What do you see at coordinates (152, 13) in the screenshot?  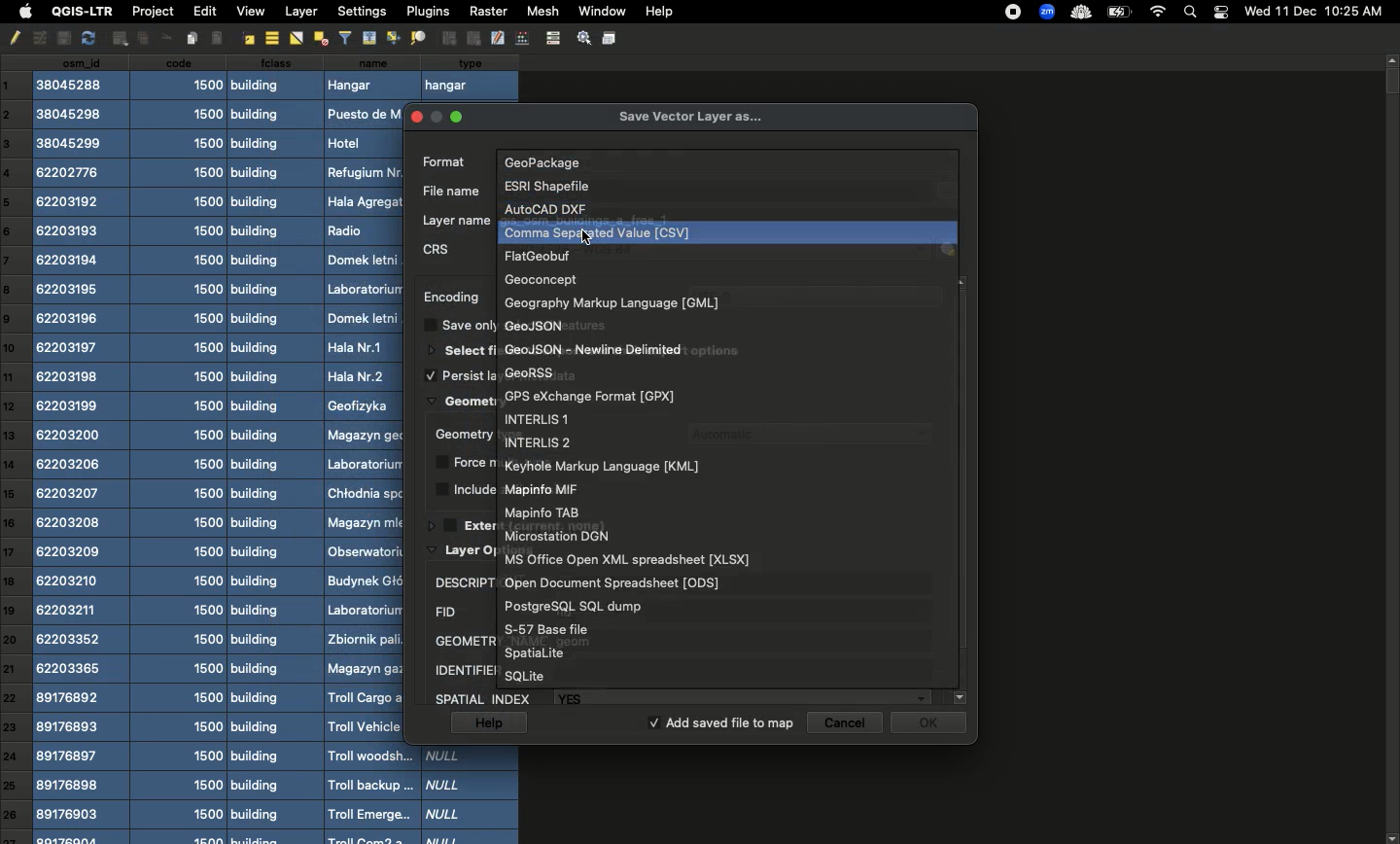 I see `Project` at bounding box center [152, 13].